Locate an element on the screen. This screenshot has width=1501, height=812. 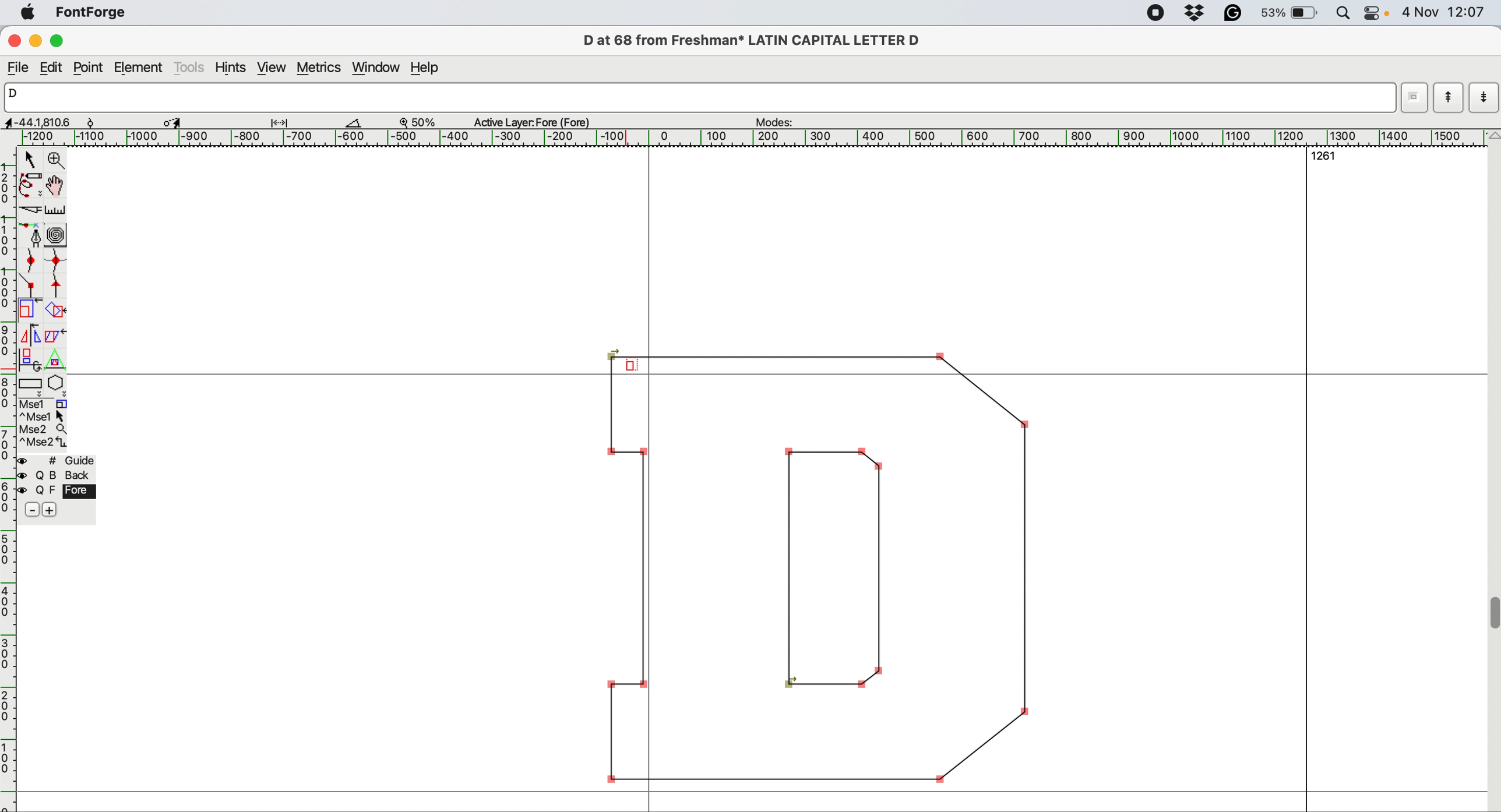
control center is located at coordinates (1375, 13).